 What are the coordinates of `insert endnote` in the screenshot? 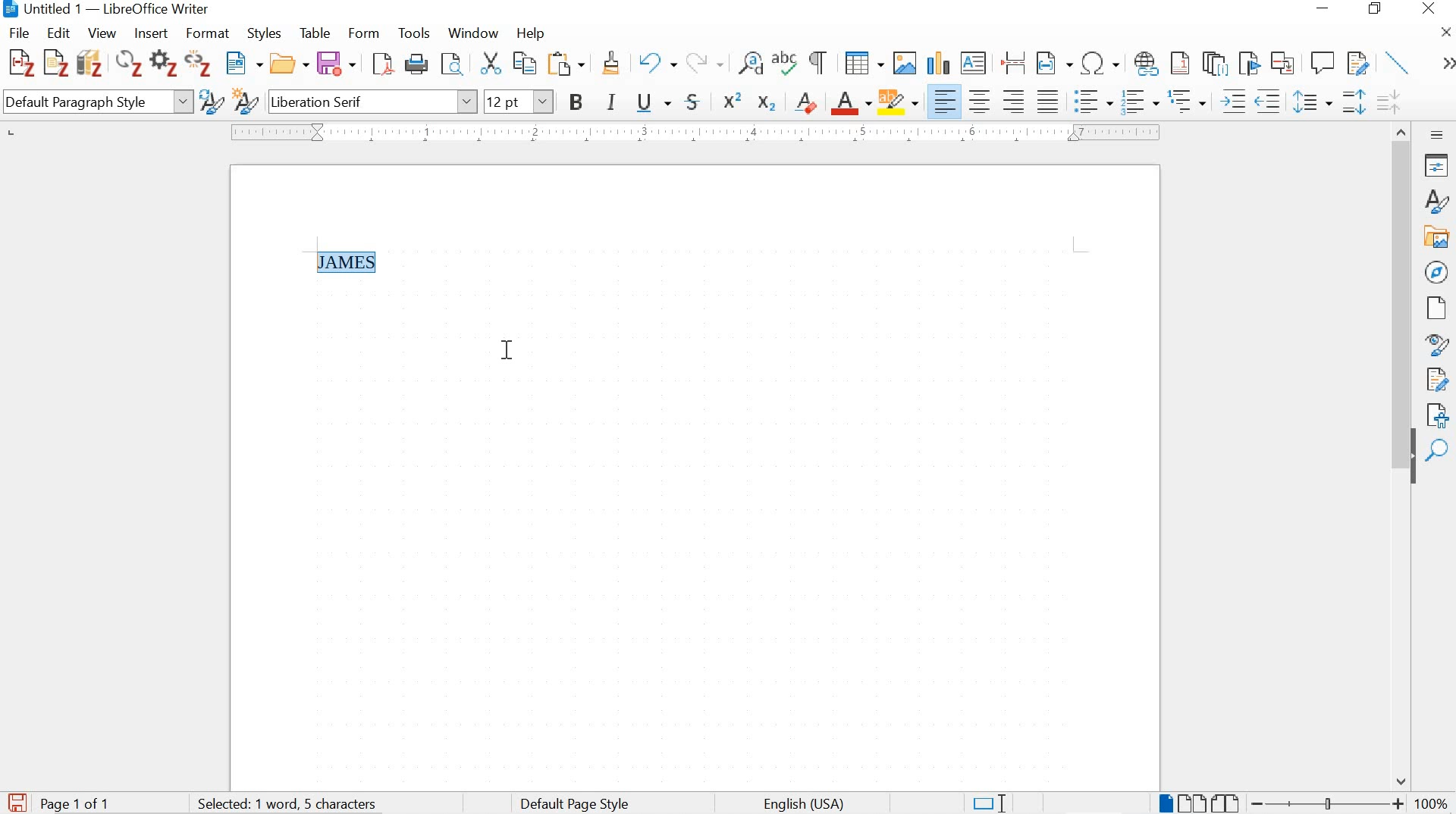 It's located at (1180, 64).